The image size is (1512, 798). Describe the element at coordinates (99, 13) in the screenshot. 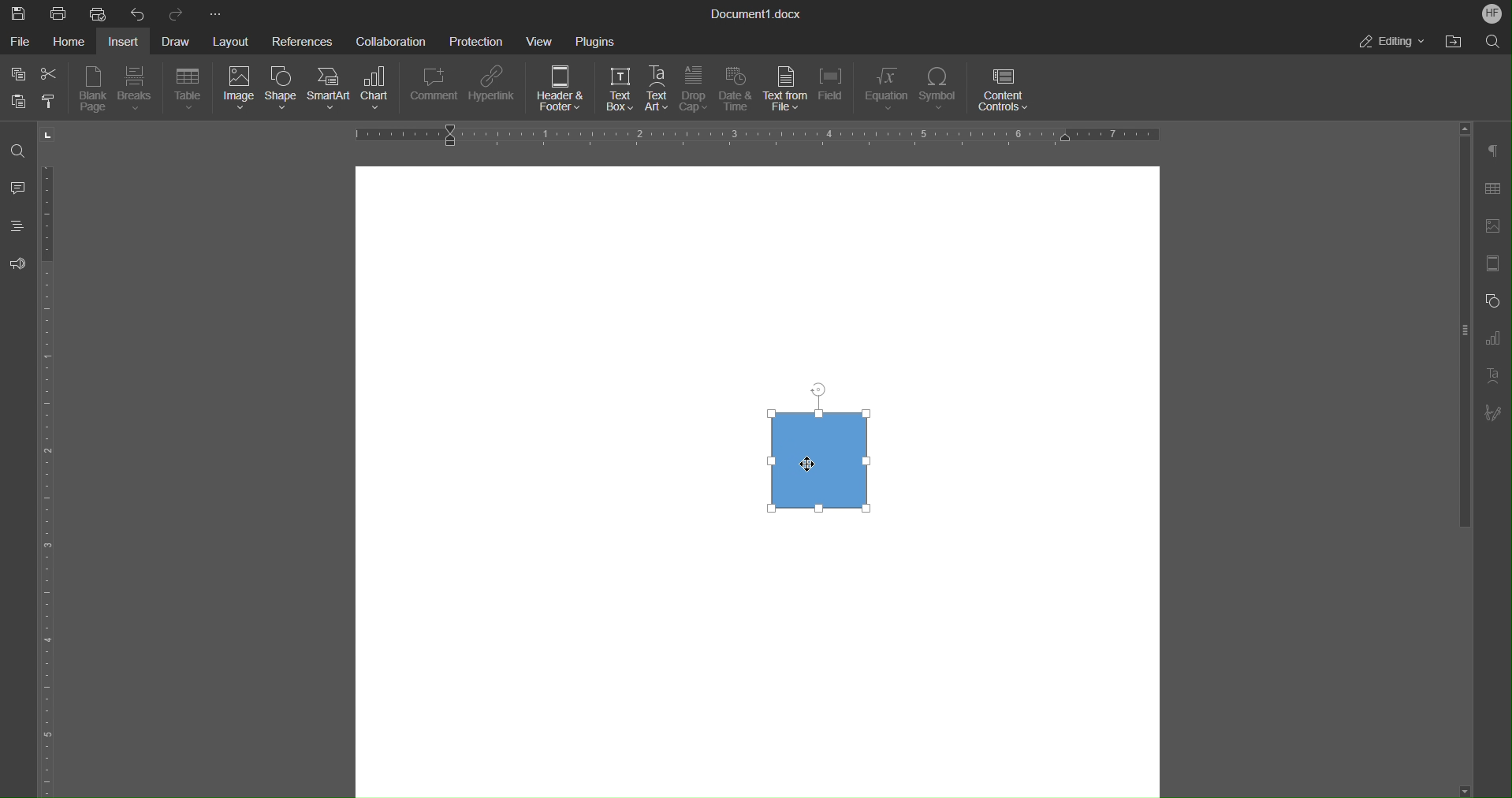

I see `Quick Print` at that location.